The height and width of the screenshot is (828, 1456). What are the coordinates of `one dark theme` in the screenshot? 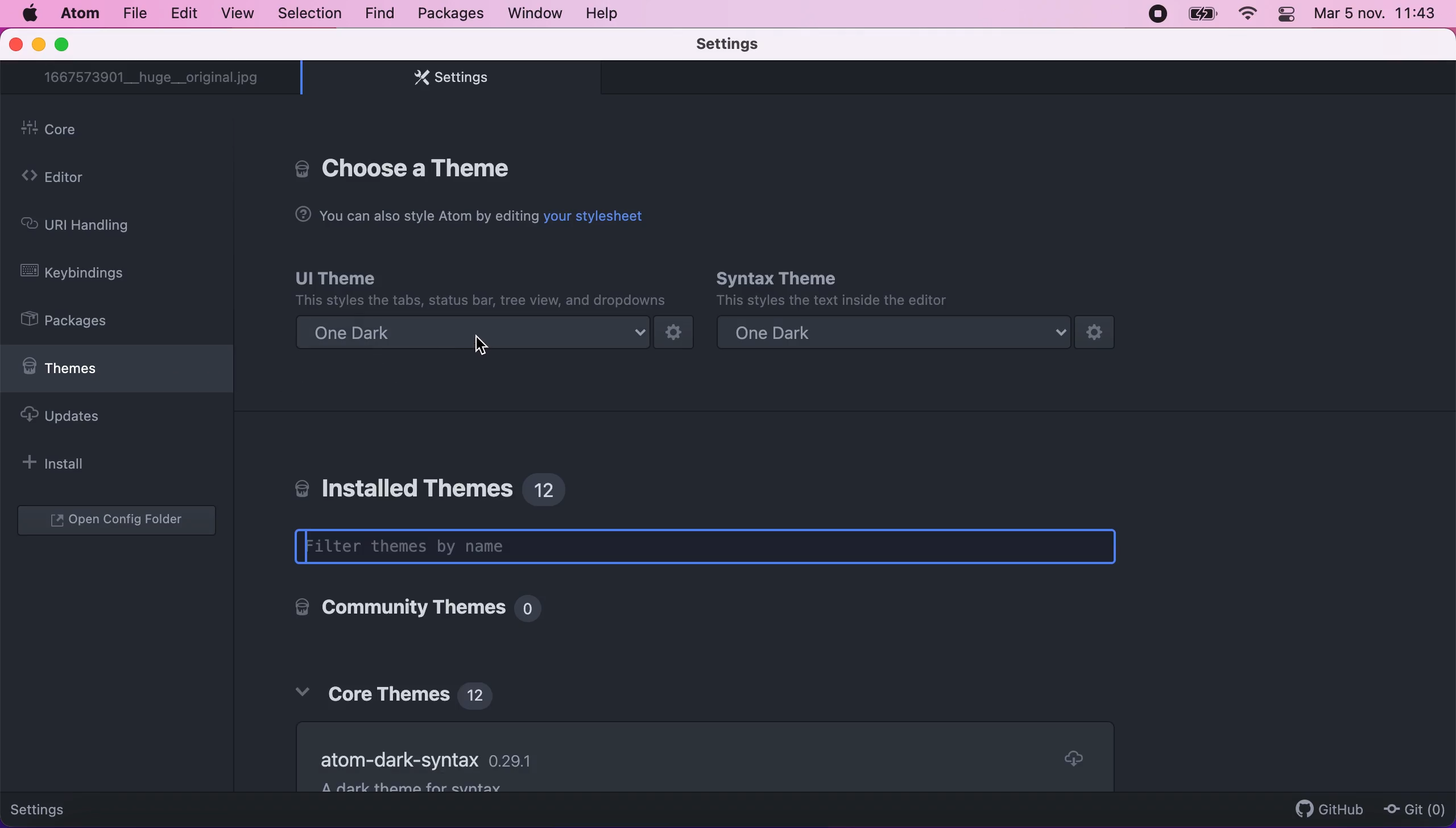 It's located at (495, 334).